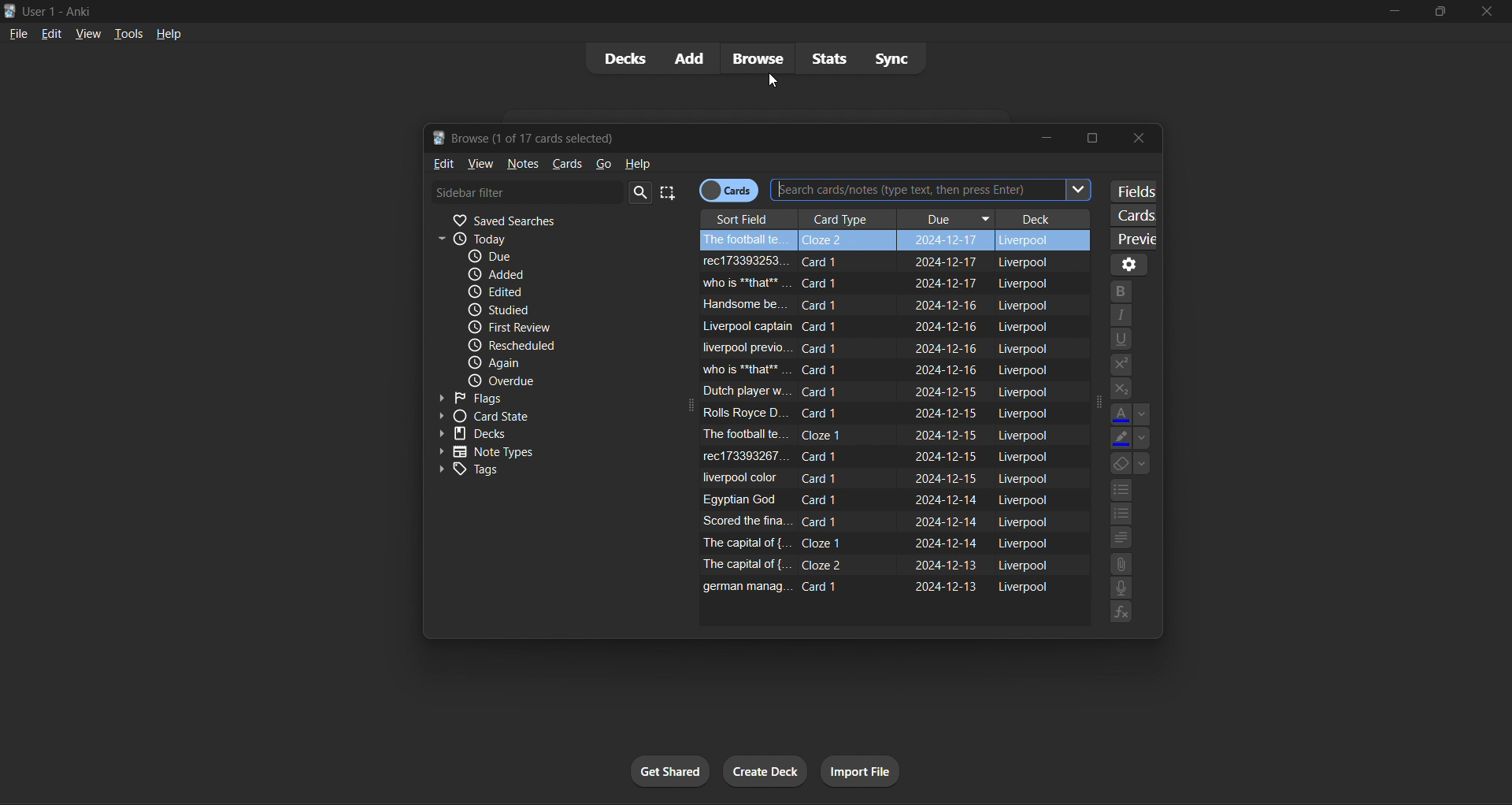 The image size is (1512, 805). Describe the element at coordinates (542, 433) in the screenshot. I see `decks filter` at that location.